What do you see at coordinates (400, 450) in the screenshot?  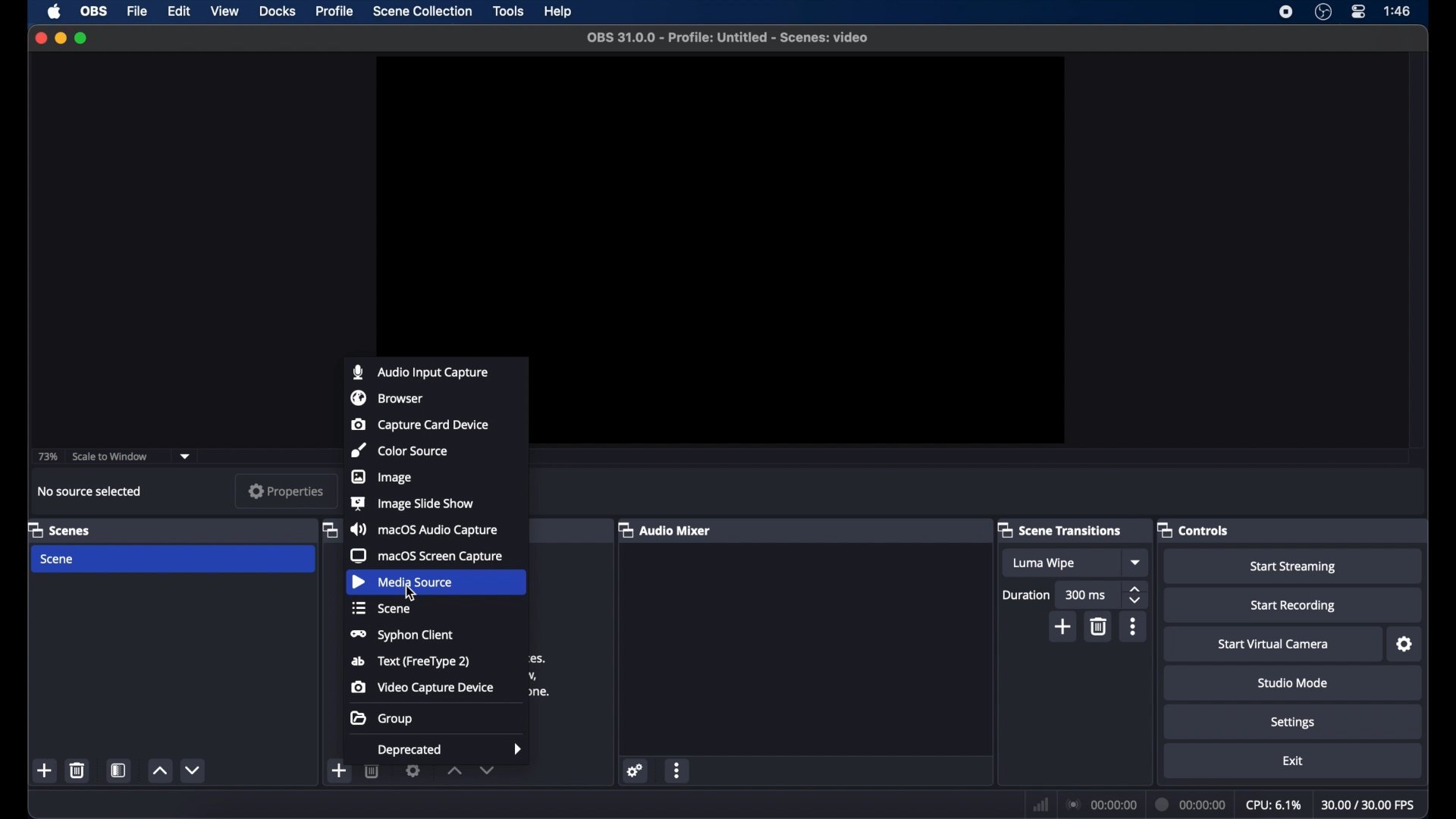 I see `color source` at bounding box center [400, 450].